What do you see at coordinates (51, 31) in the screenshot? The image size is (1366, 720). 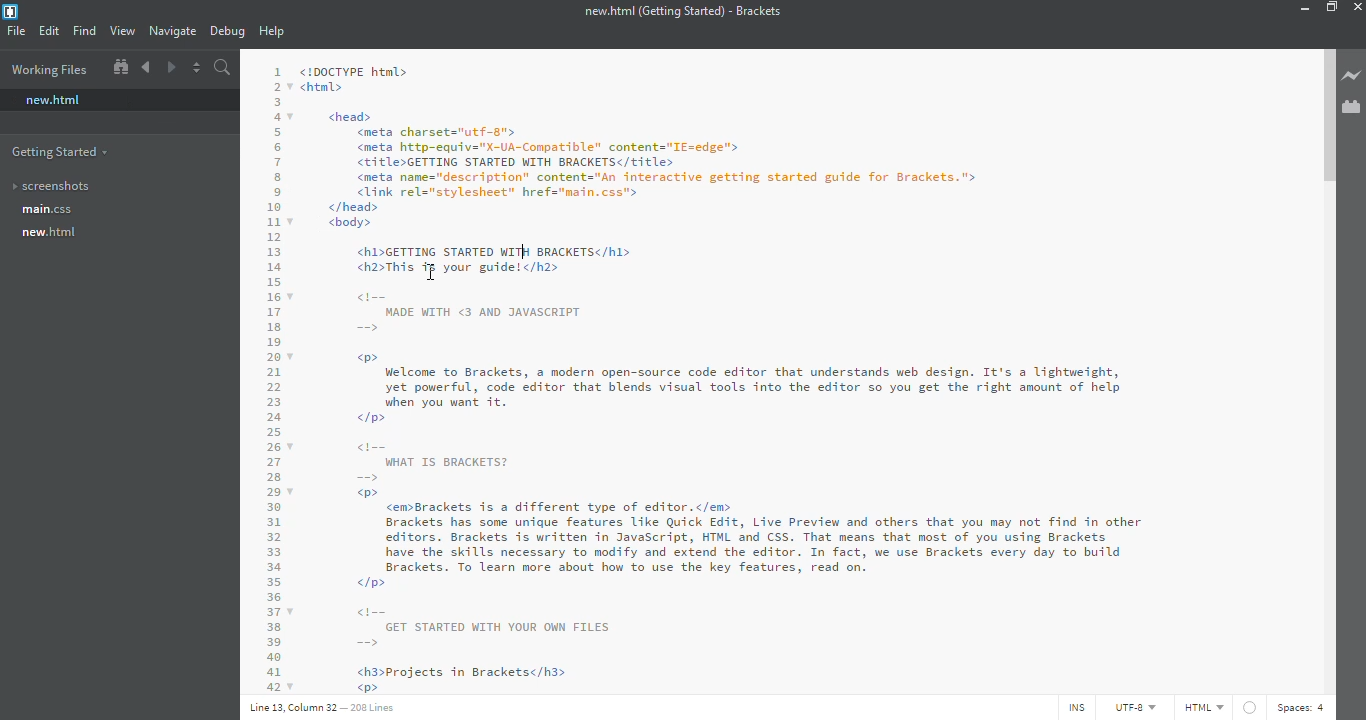 I see `edit` at bounding box center [51, 31].